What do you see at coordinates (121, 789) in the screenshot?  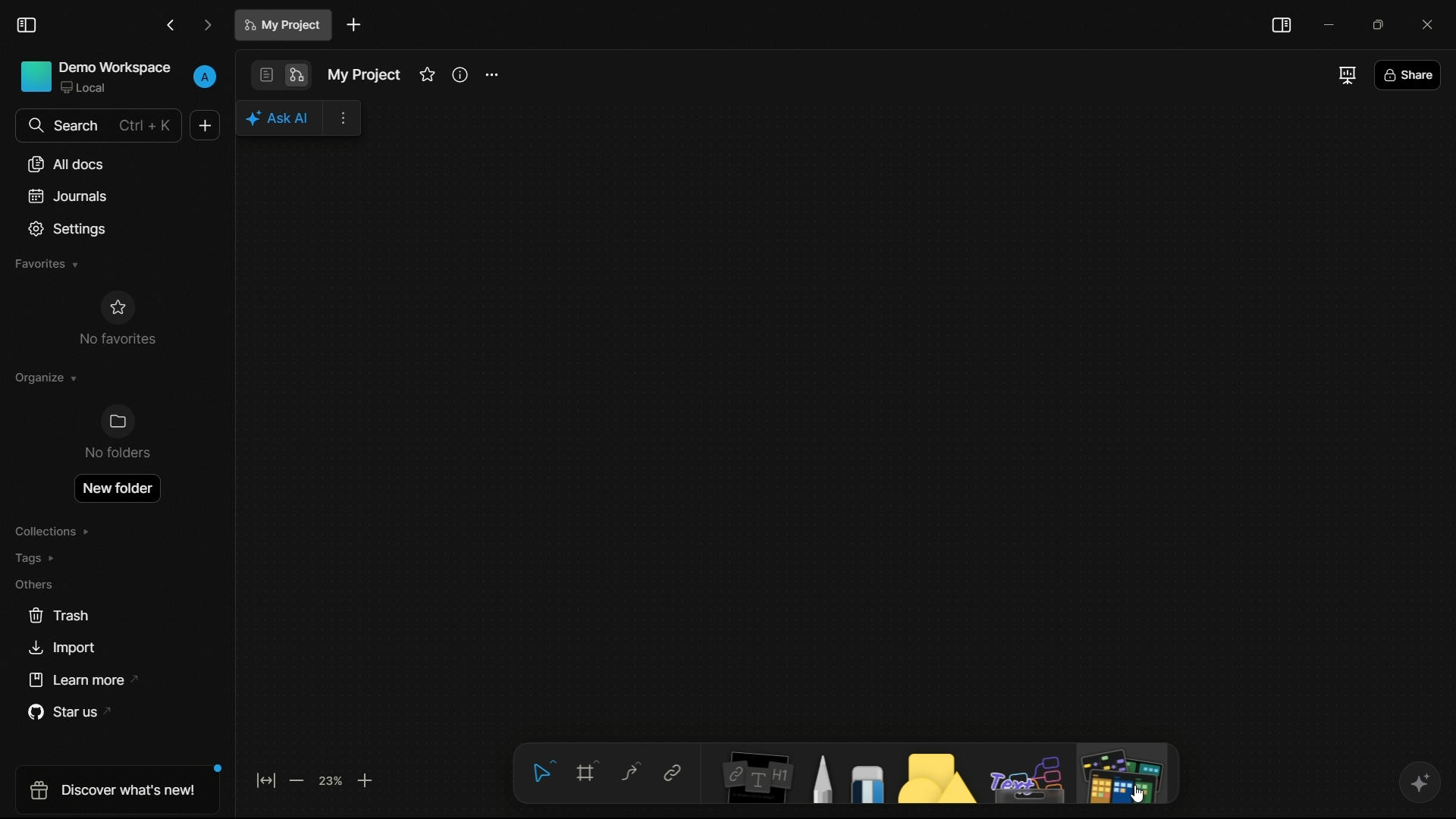 I see `discover what's new` at bounding box center [121, 789].